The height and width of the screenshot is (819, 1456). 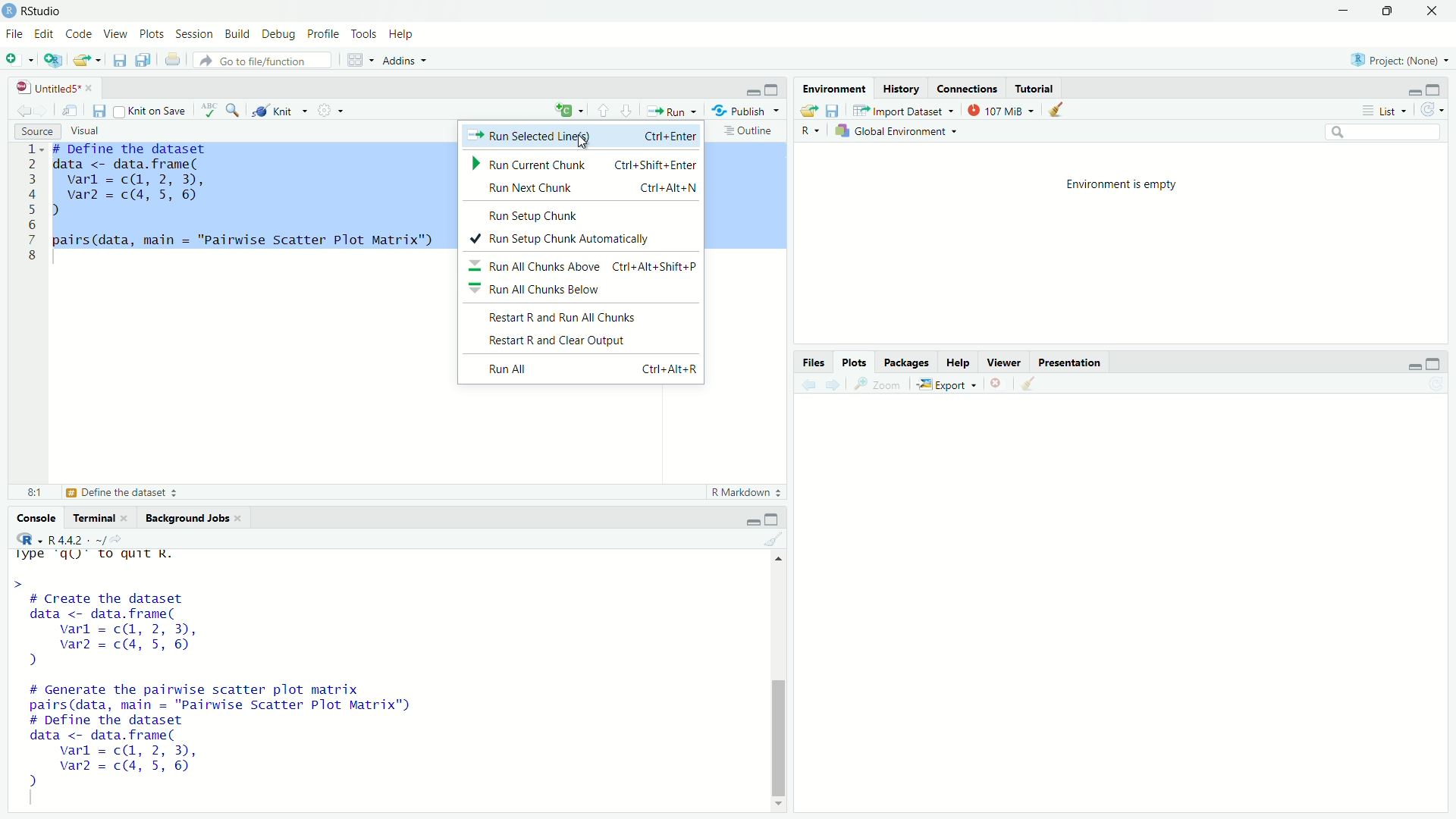 What do you see at coordinates (809, 131) in the screenshot?
I see `R` at bounding box center [809, 131].